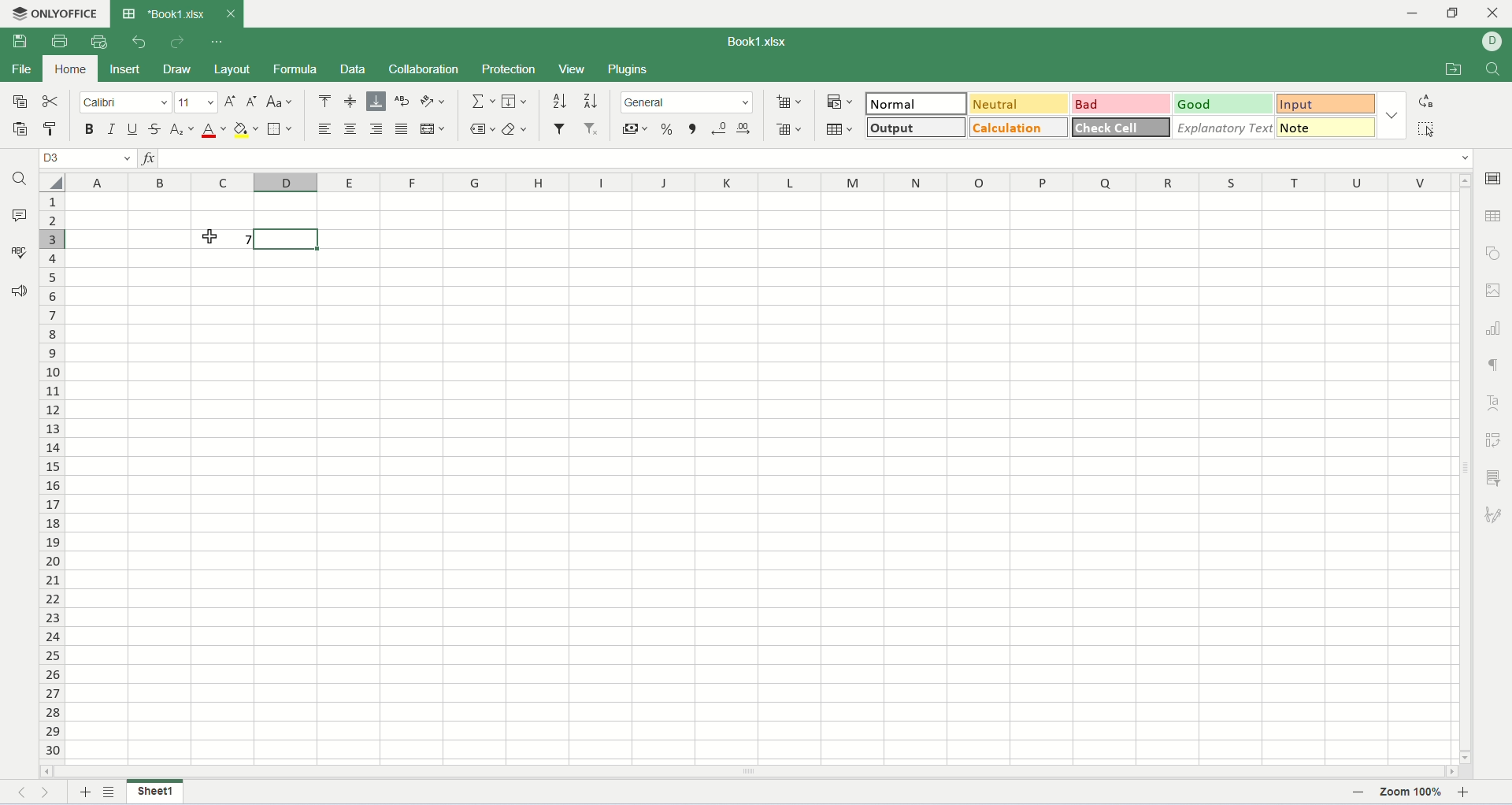  What do you see at coordinates (233, 70) in the screenshot?
I see `layout` at bounding box center [233, 70].